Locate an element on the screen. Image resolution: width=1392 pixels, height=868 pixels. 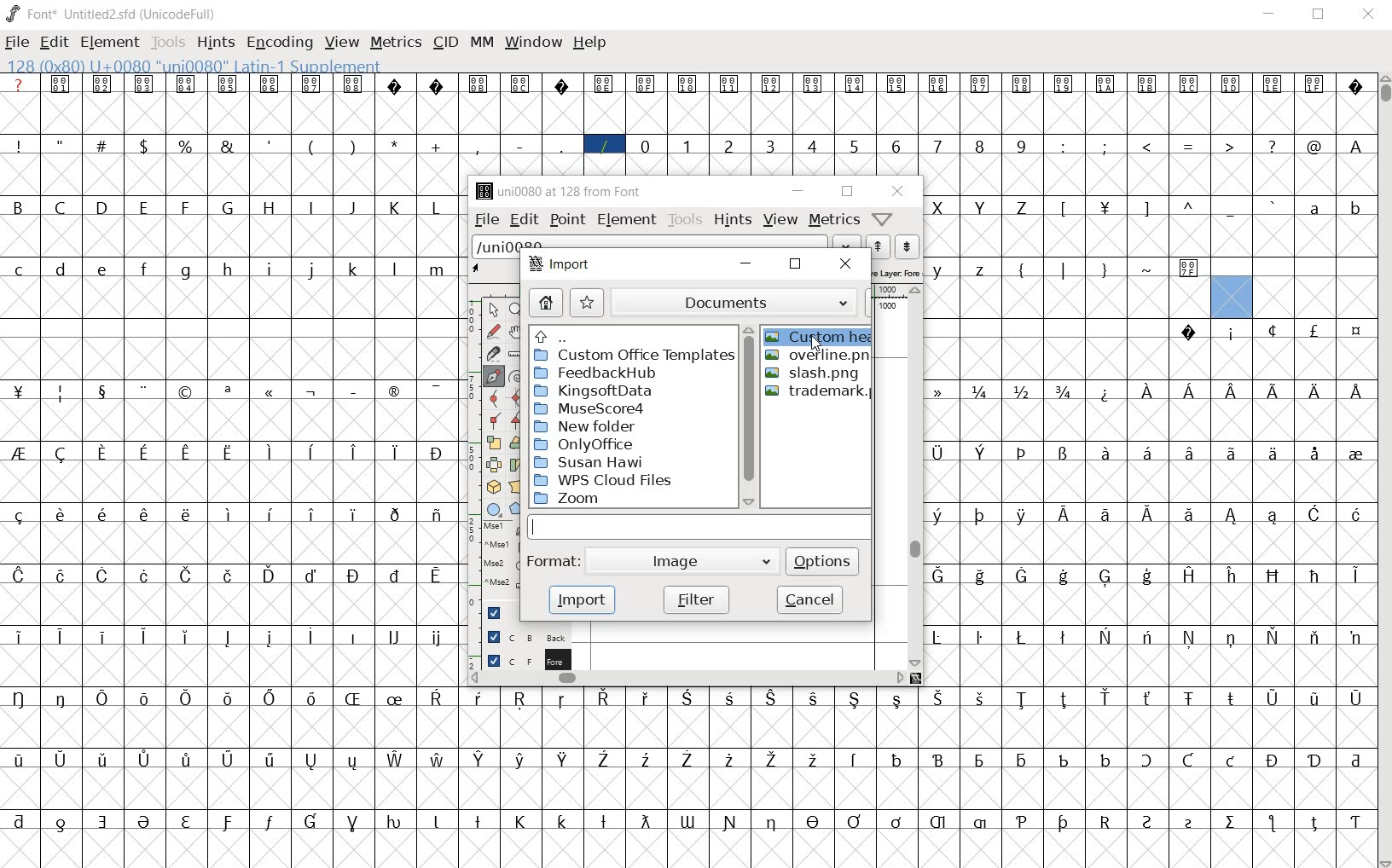
glyph is located at coordinates (352, 146).